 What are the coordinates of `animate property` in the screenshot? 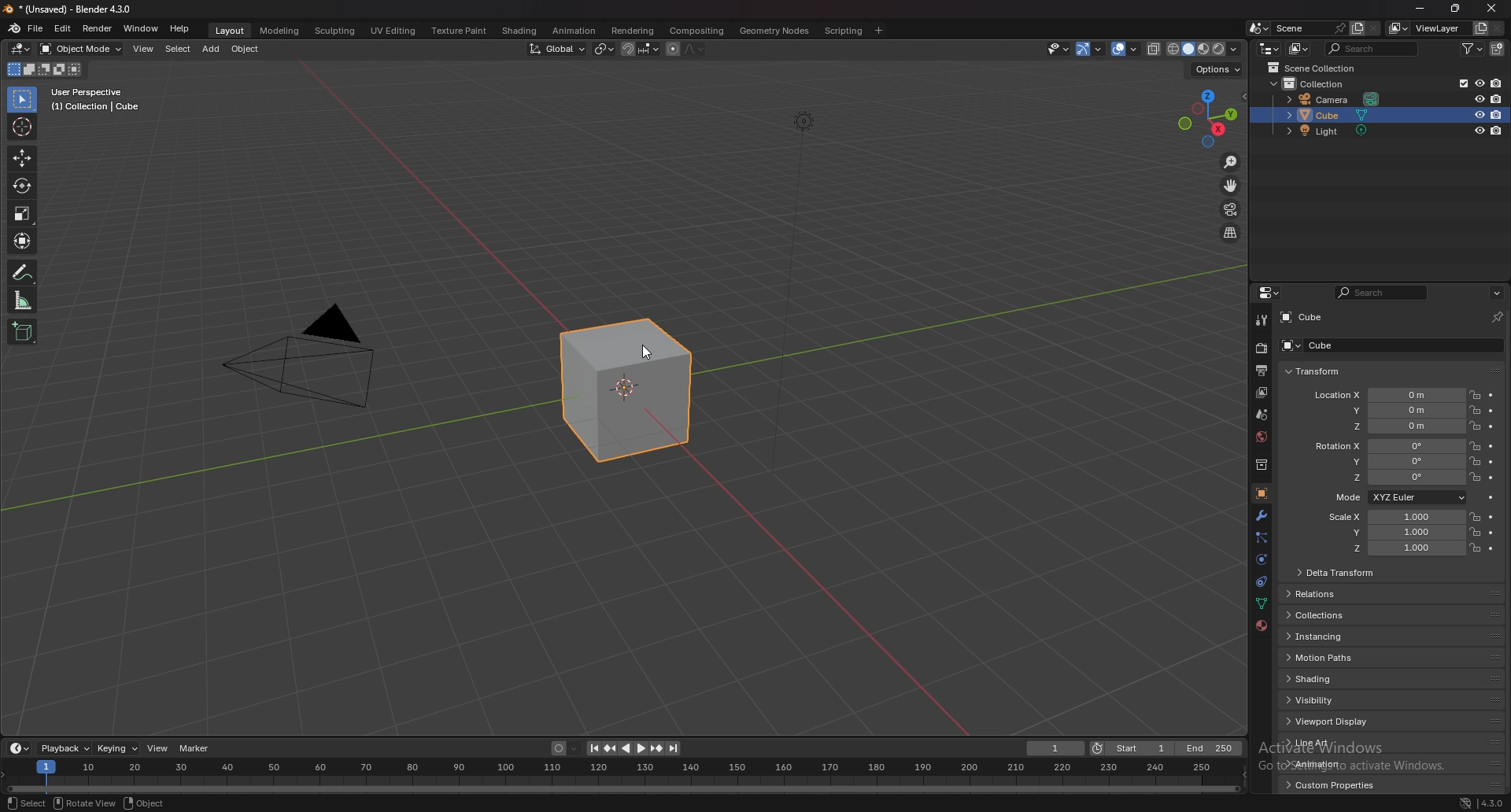 It's located at (1492, 498).